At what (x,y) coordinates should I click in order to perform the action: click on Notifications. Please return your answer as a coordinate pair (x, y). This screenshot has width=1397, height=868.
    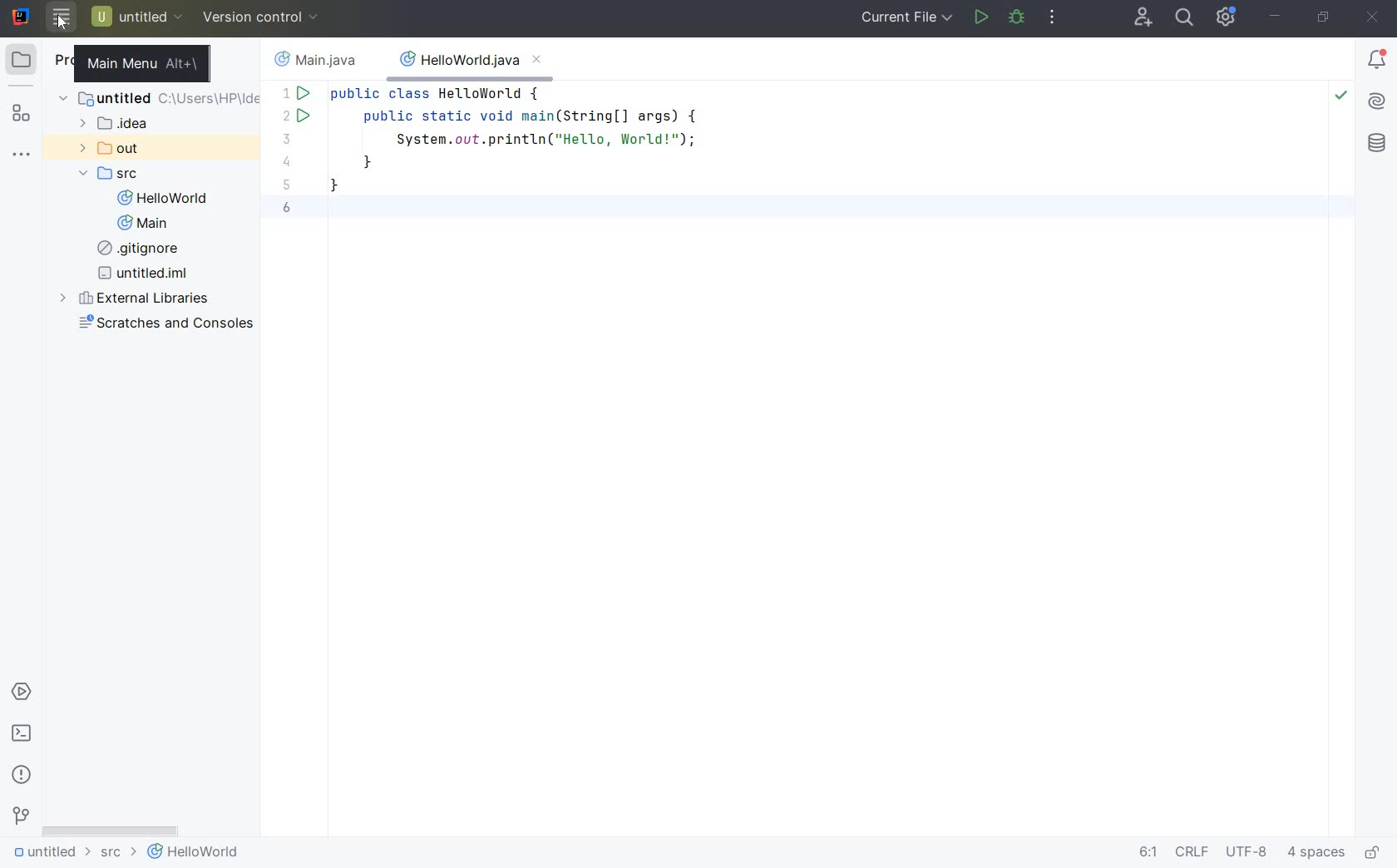
    Looking at the image, I should click on (1378, 61).